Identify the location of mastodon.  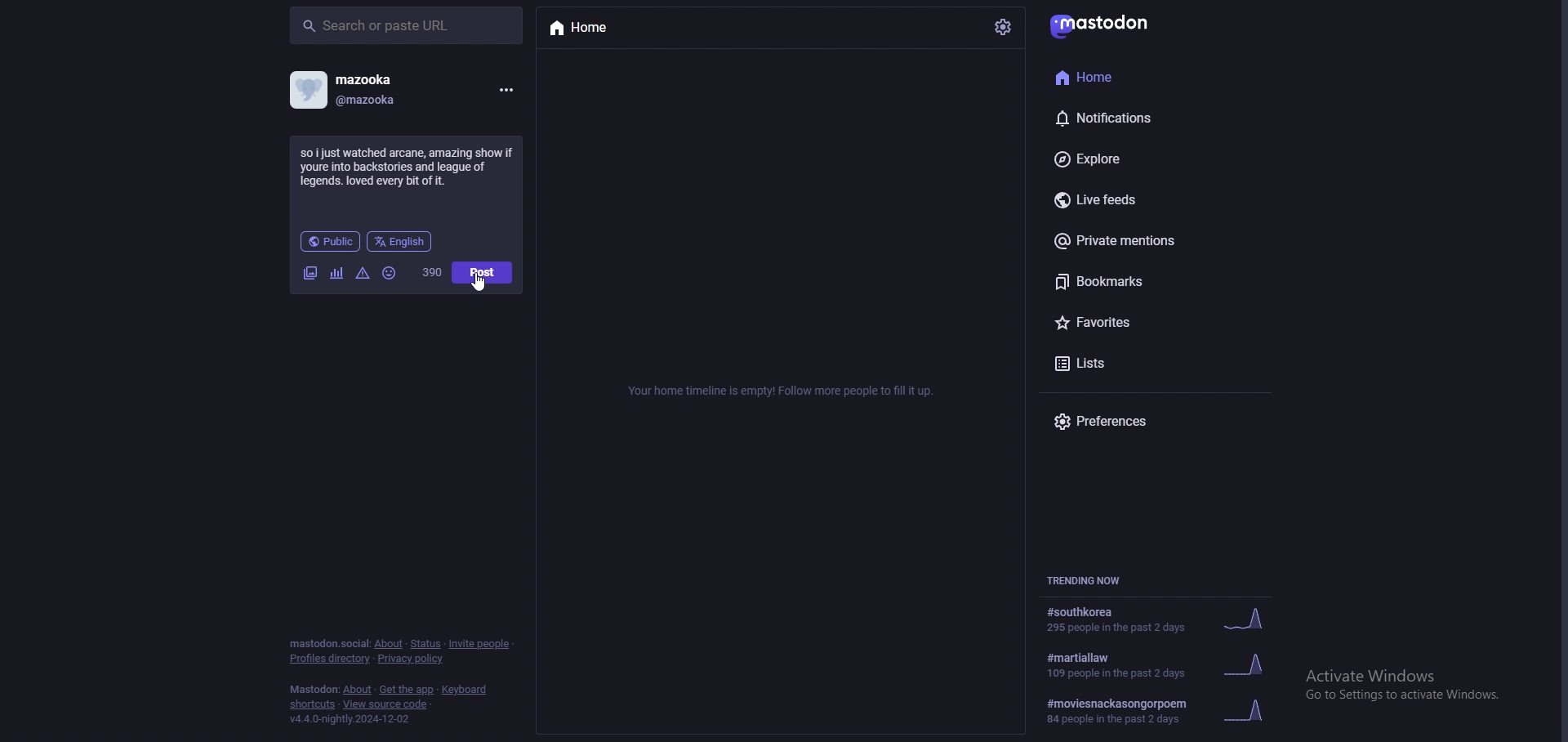
(311, 689).